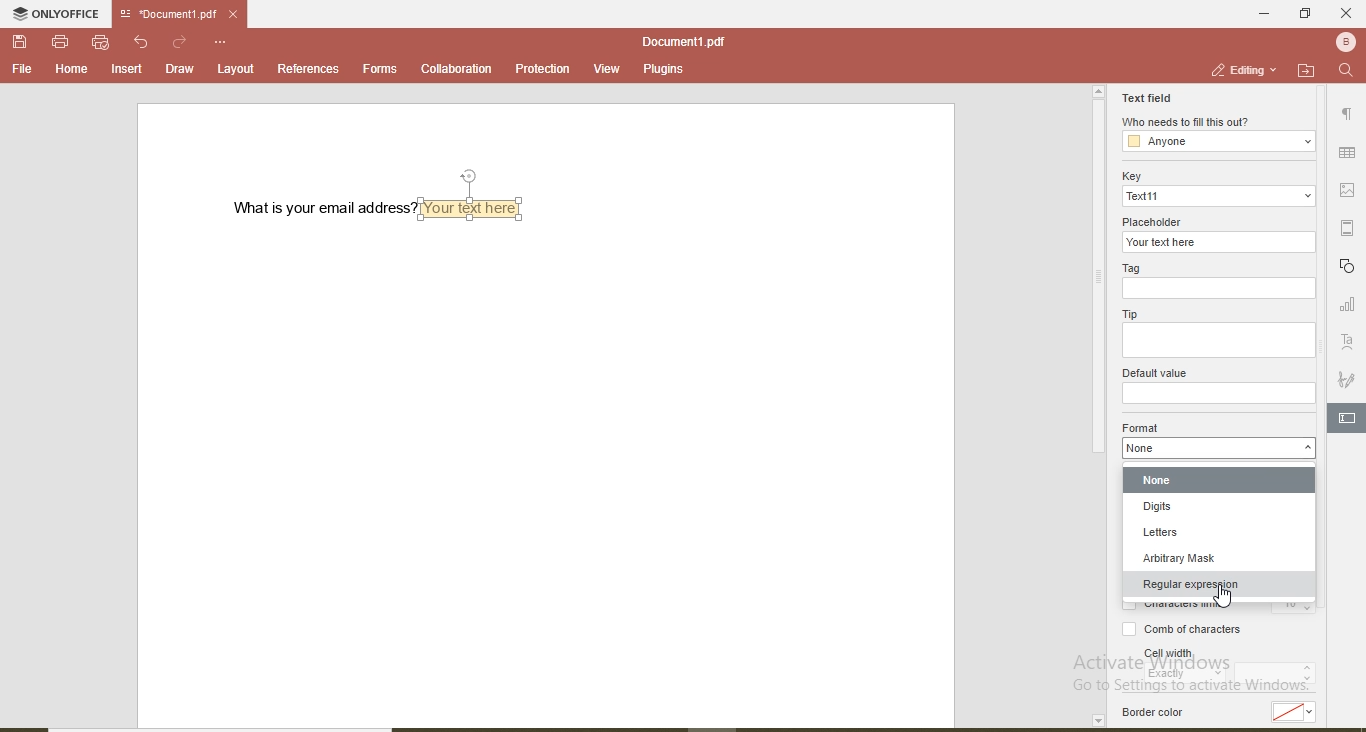  Describe the element at coordinates (1347, 381) in the screenshot. I see `signature` at that location.